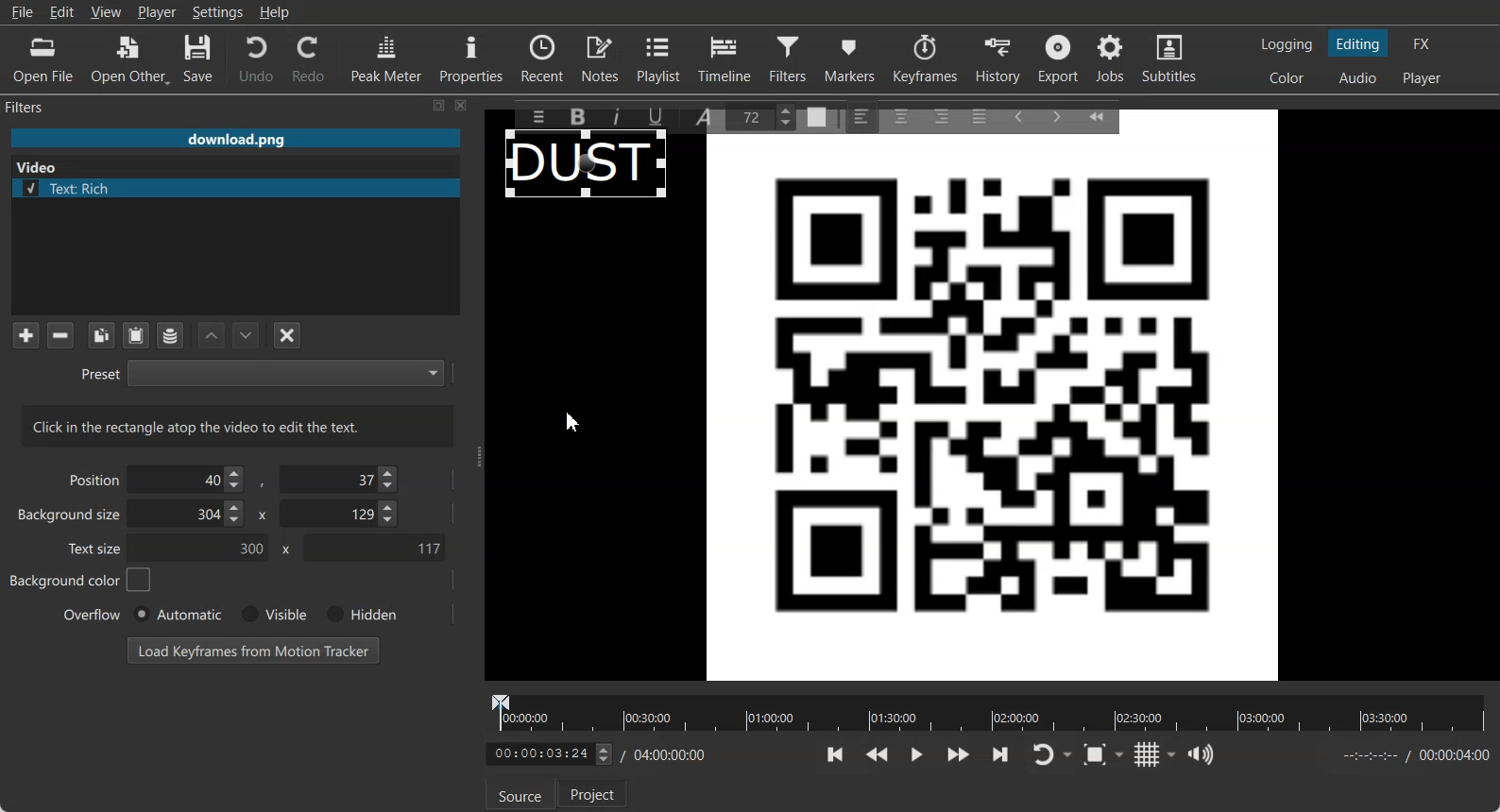 The height and width of the screenshot is (812, 1500). What do you see at coordinates (537, 116) in the screenshot?
I see `Menu` at bounding box center [537, 116].